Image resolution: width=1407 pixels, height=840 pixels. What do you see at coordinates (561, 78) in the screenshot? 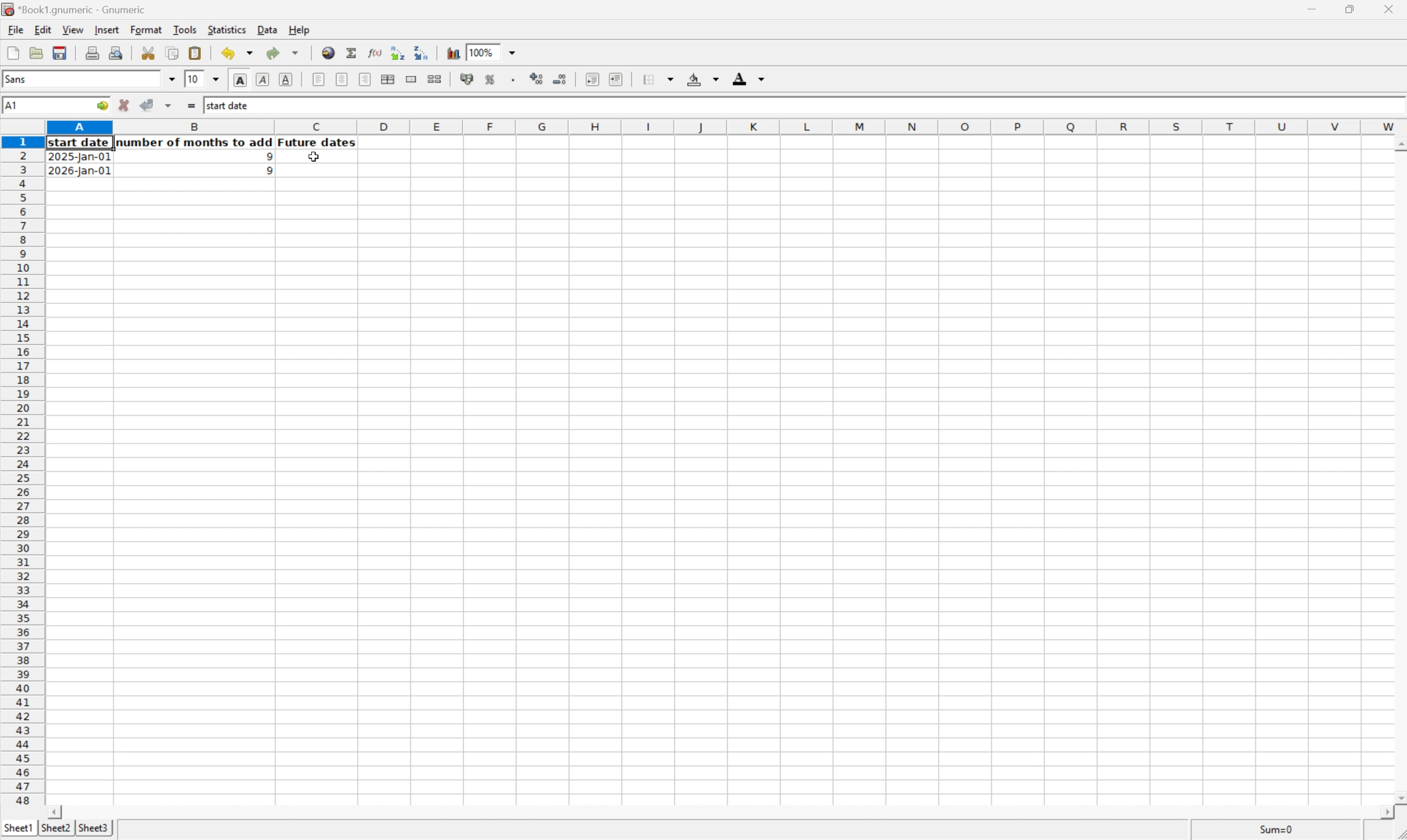
I see `Decrease the number of decimals displayed` at bounding box center [561, 78].